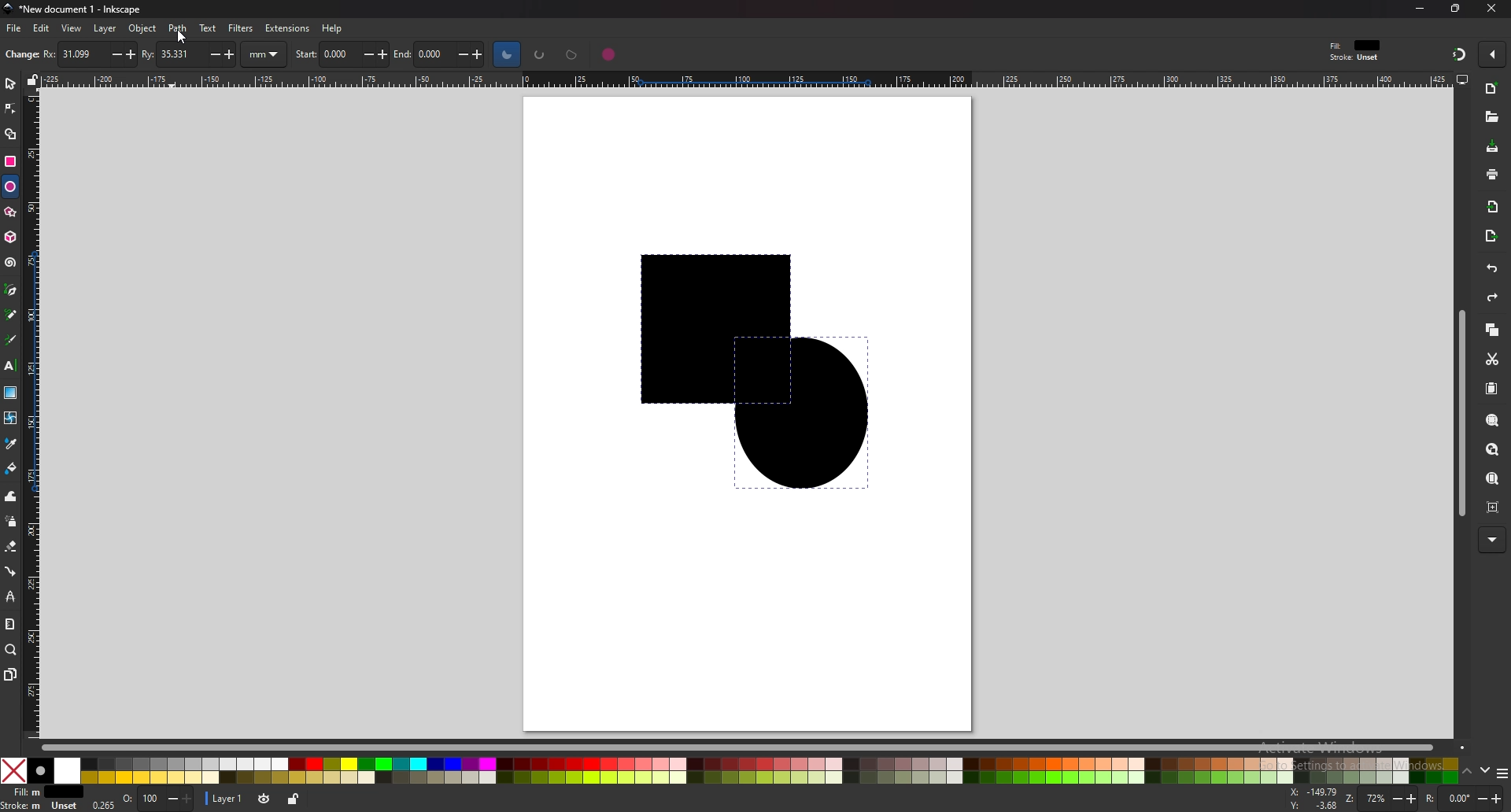  What do you see at coordinates (1316, 797) in the screenshot?
I see `x and y coodinates` at bounding box center [1316, 797].